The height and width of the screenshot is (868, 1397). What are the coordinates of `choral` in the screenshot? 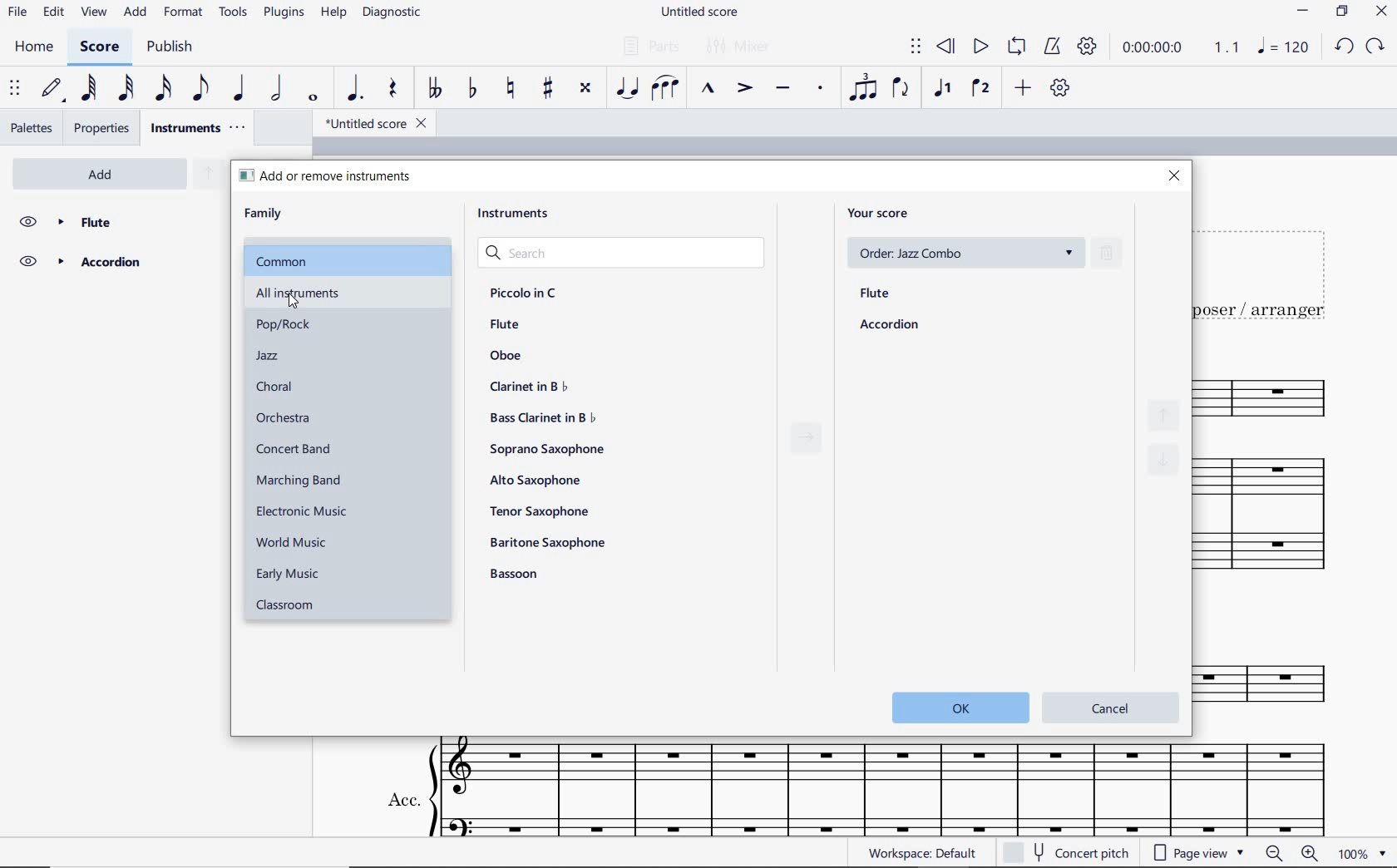 It's located at (274, 386).